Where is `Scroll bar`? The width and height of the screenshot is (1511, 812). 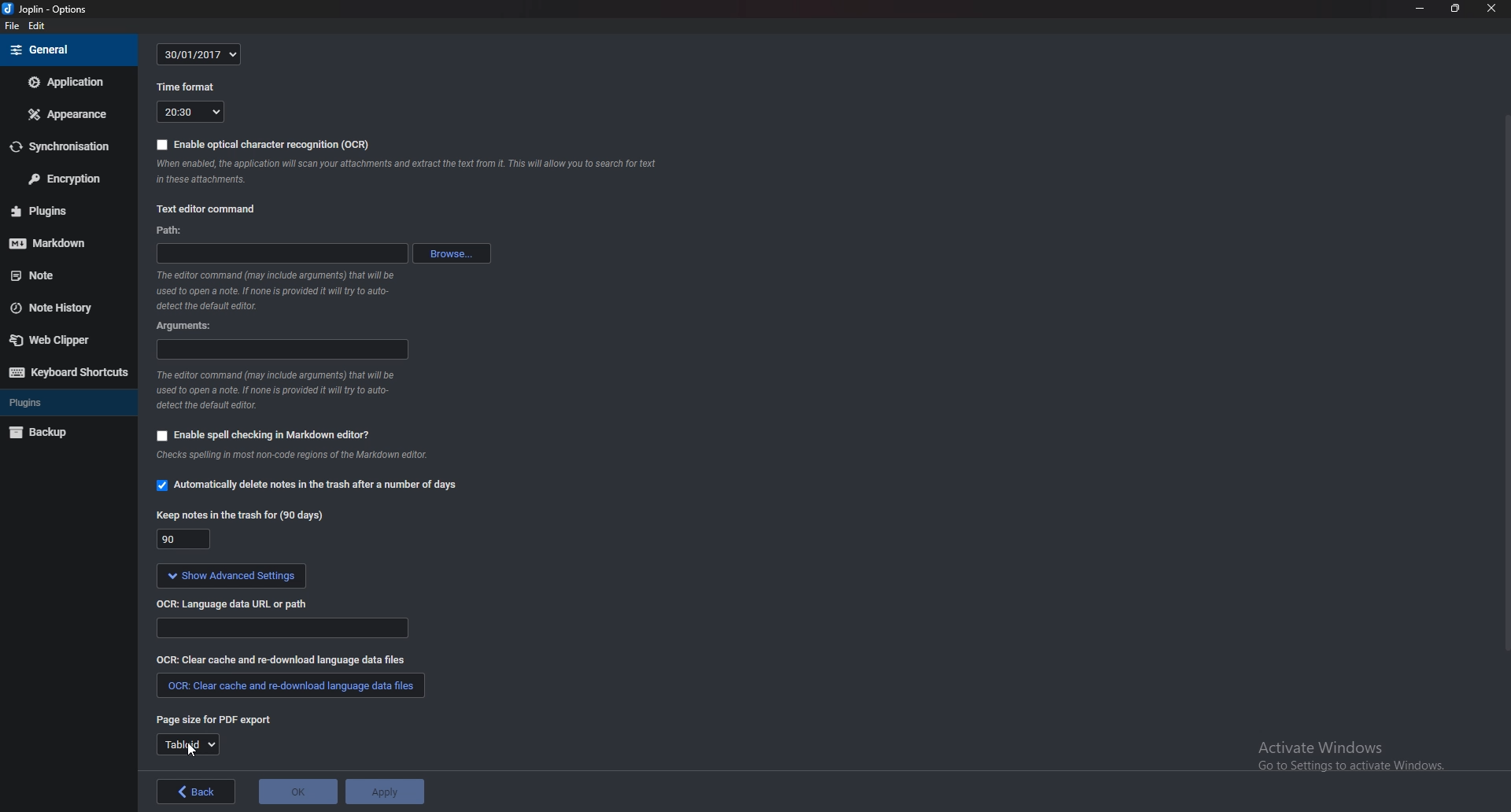 Scroll bar is located at coordinates (1498, 375).